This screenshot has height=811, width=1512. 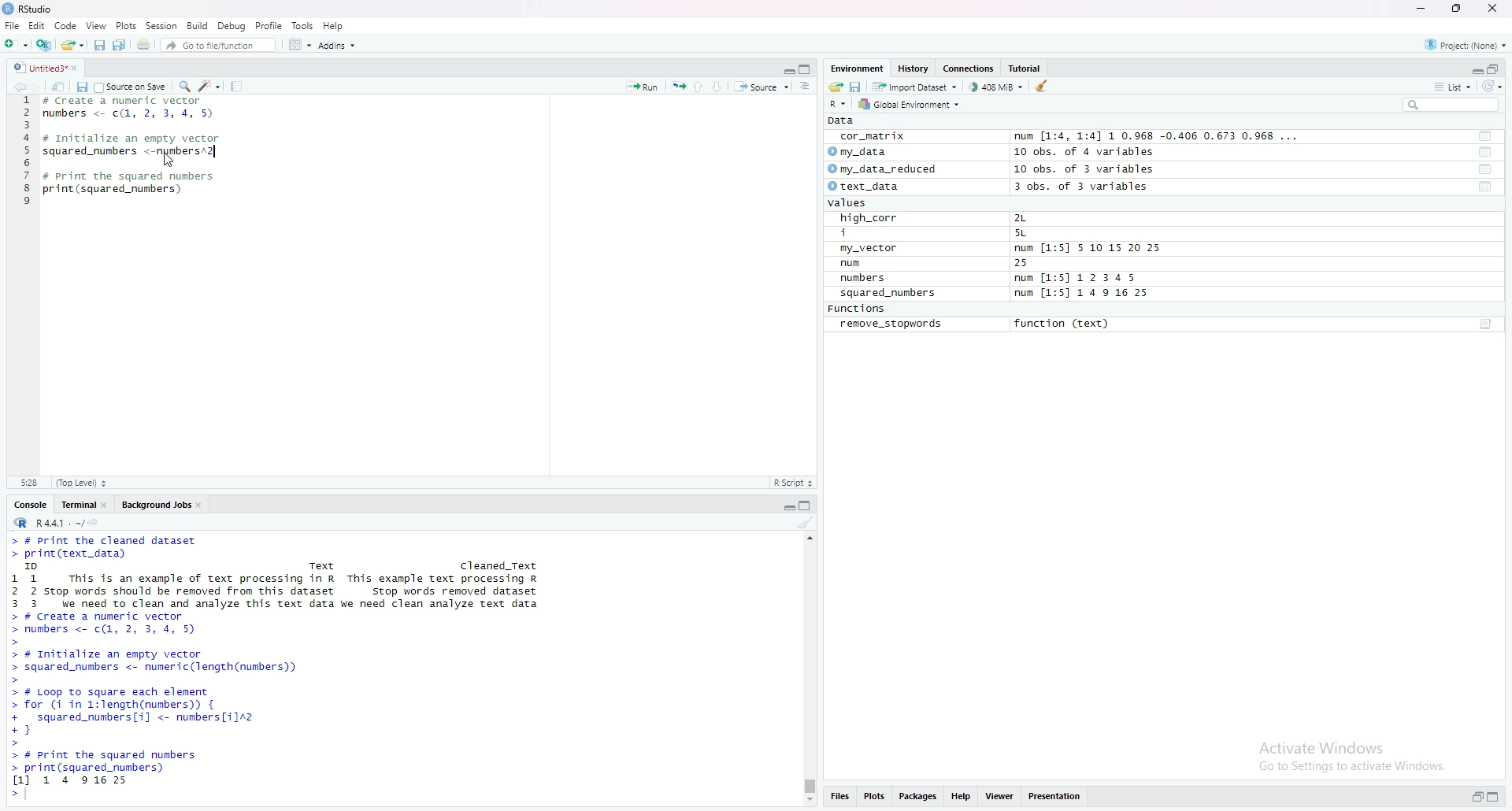 I want to click on # Print the squared numbers
print (squared_nunbers), so click(x=129, y=187).